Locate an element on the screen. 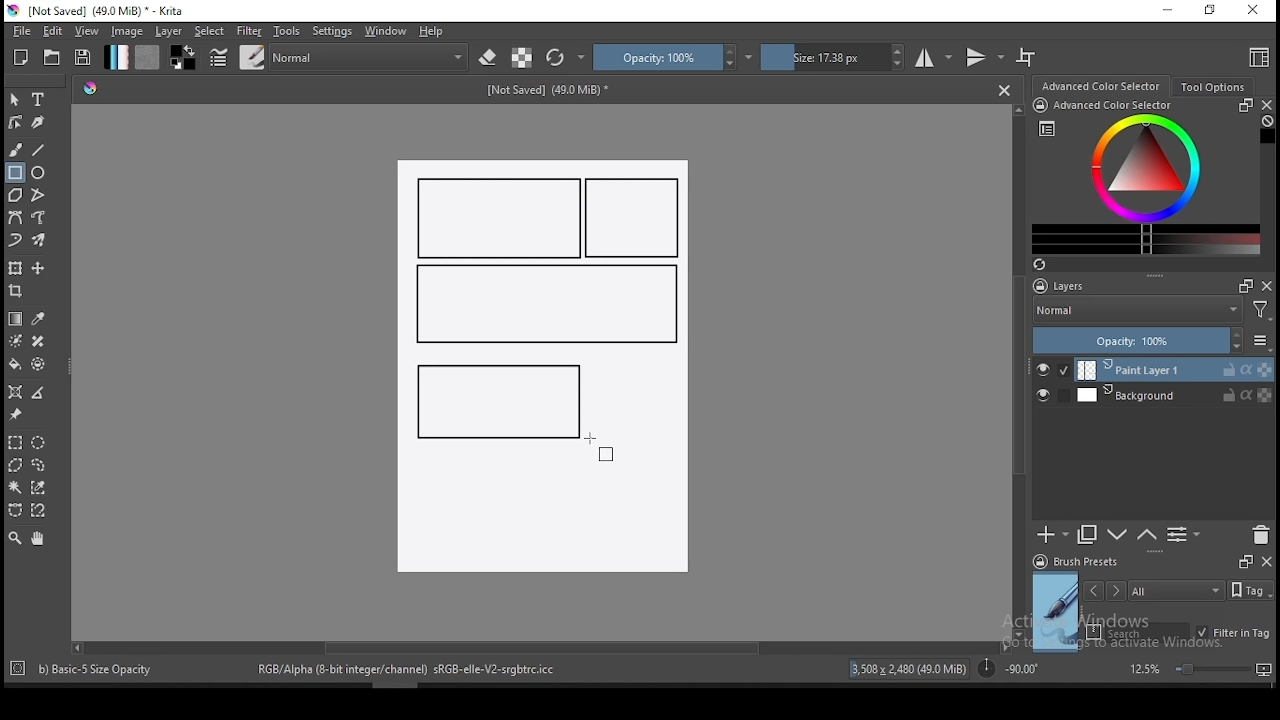 The height and width of the screenshot is (720, 1280).  close window is located at coordinates (1255, 11).